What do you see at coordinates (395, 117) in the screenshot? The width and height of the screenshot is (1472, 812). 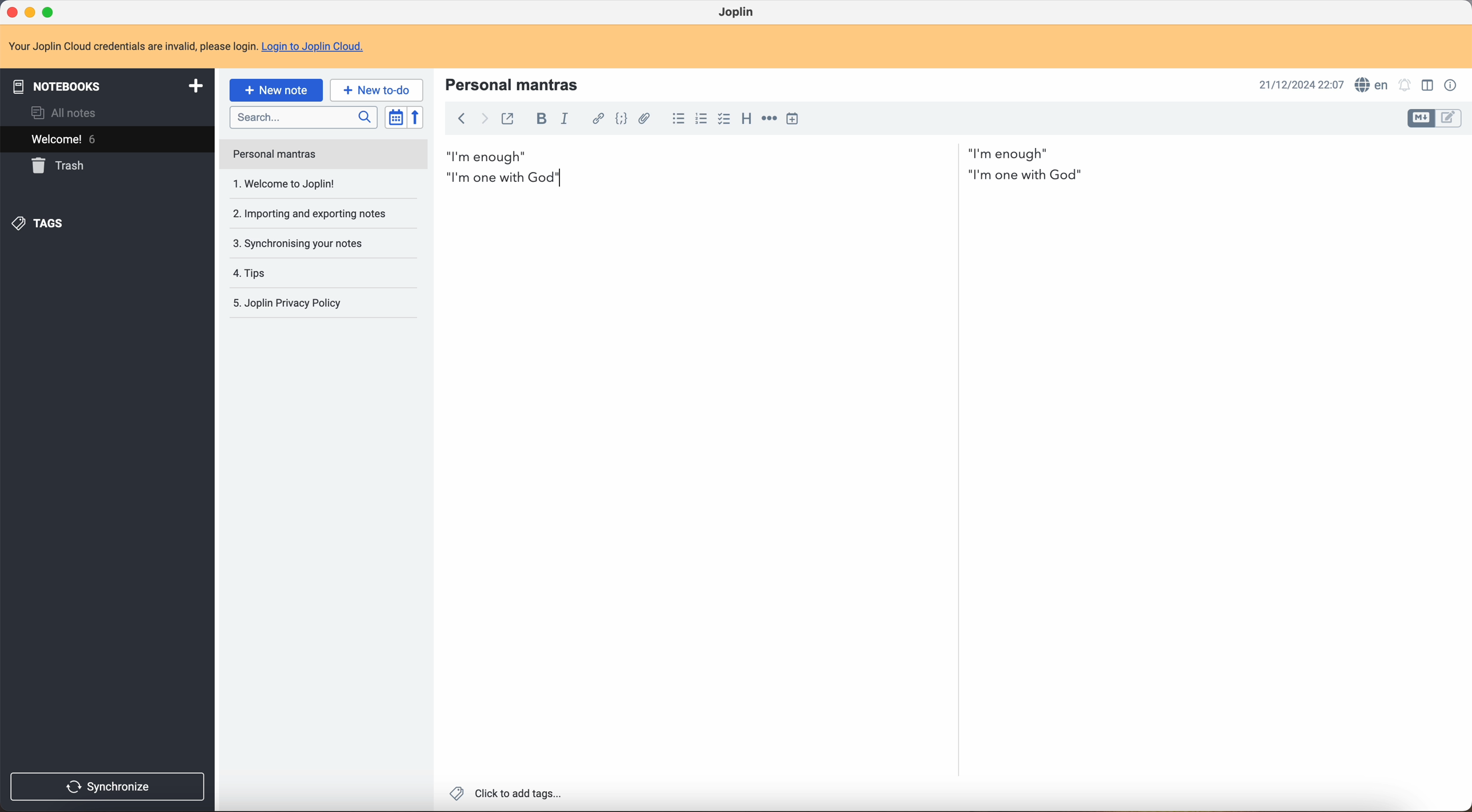 I see `toggle sort order field` at bounding box center [395, 117].